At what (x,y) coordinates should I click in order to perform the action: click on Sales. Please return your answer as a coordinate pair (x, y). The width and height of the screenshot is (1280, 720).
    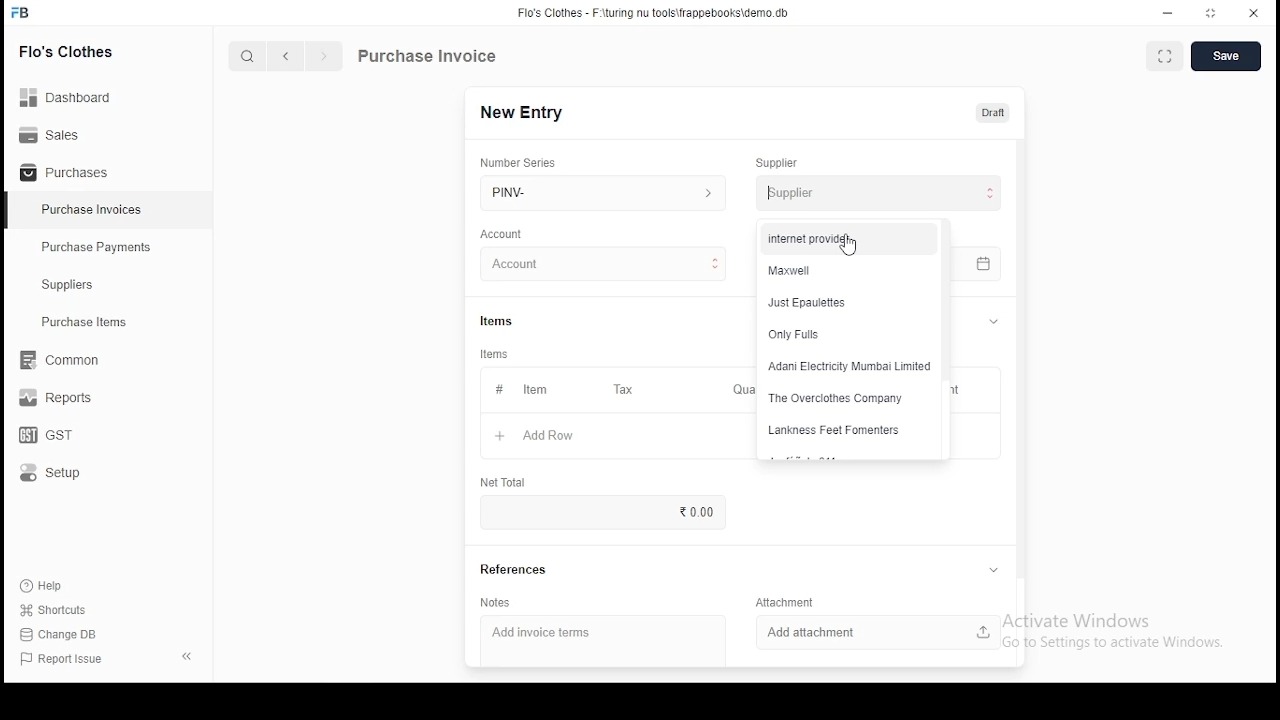
    Looking at the image, I should click on (55, 133).